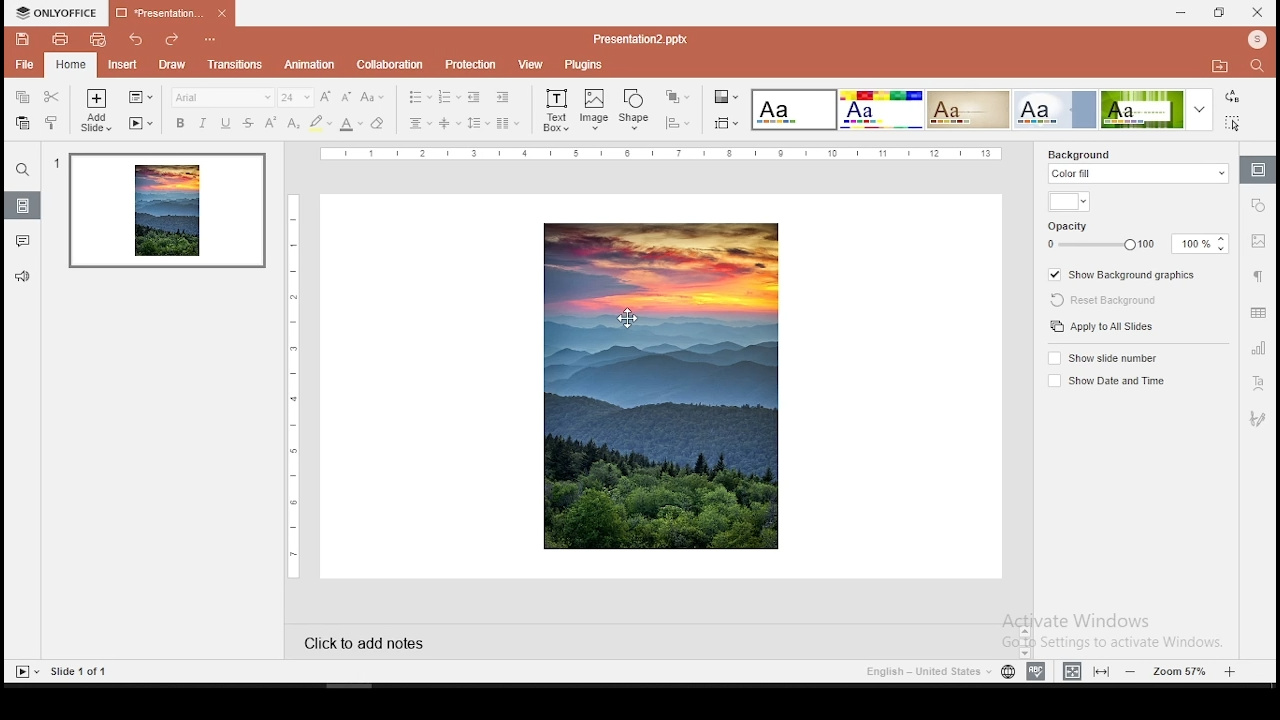 The height and width of the screenshot is (720, 1280). What do you see at coordinates (923, 671) in the screenshot?
I see `english - united states` at bounding box center [923, 671].